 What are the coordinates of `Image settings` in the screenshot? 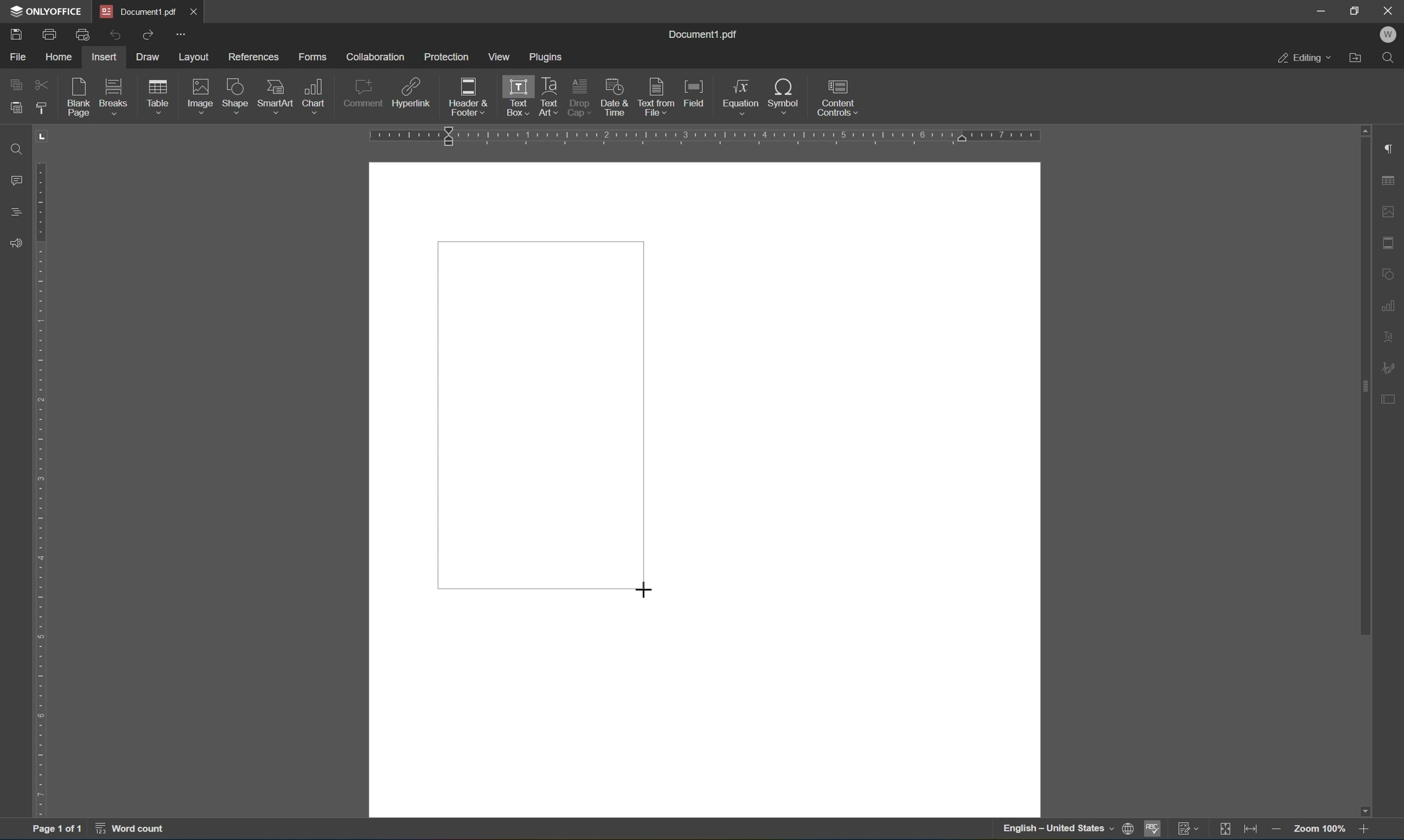 It's located at (1393, 210).